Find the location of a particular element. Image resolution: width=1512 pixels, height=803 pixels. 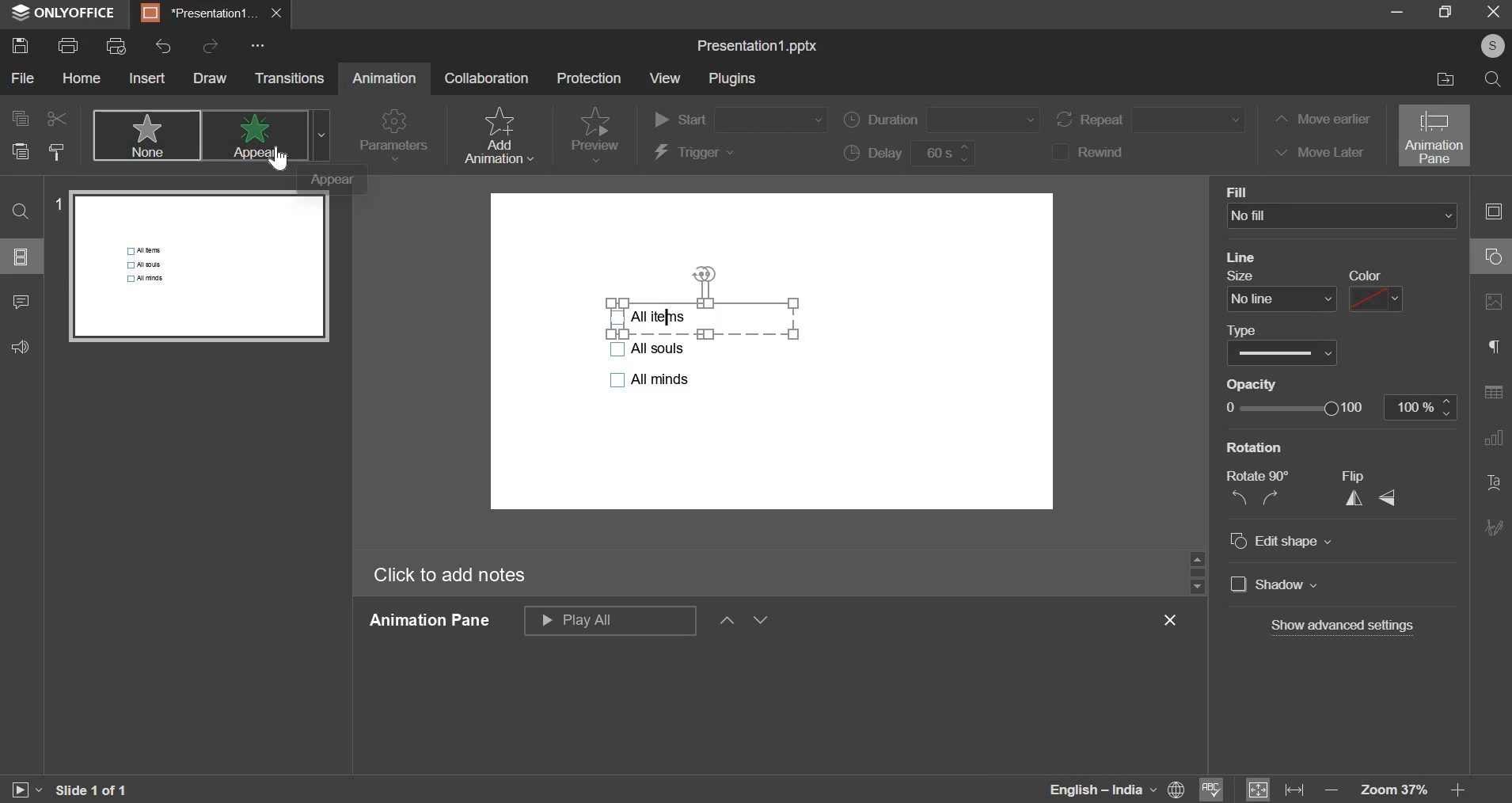

redo is located at coordinates (209, 44).